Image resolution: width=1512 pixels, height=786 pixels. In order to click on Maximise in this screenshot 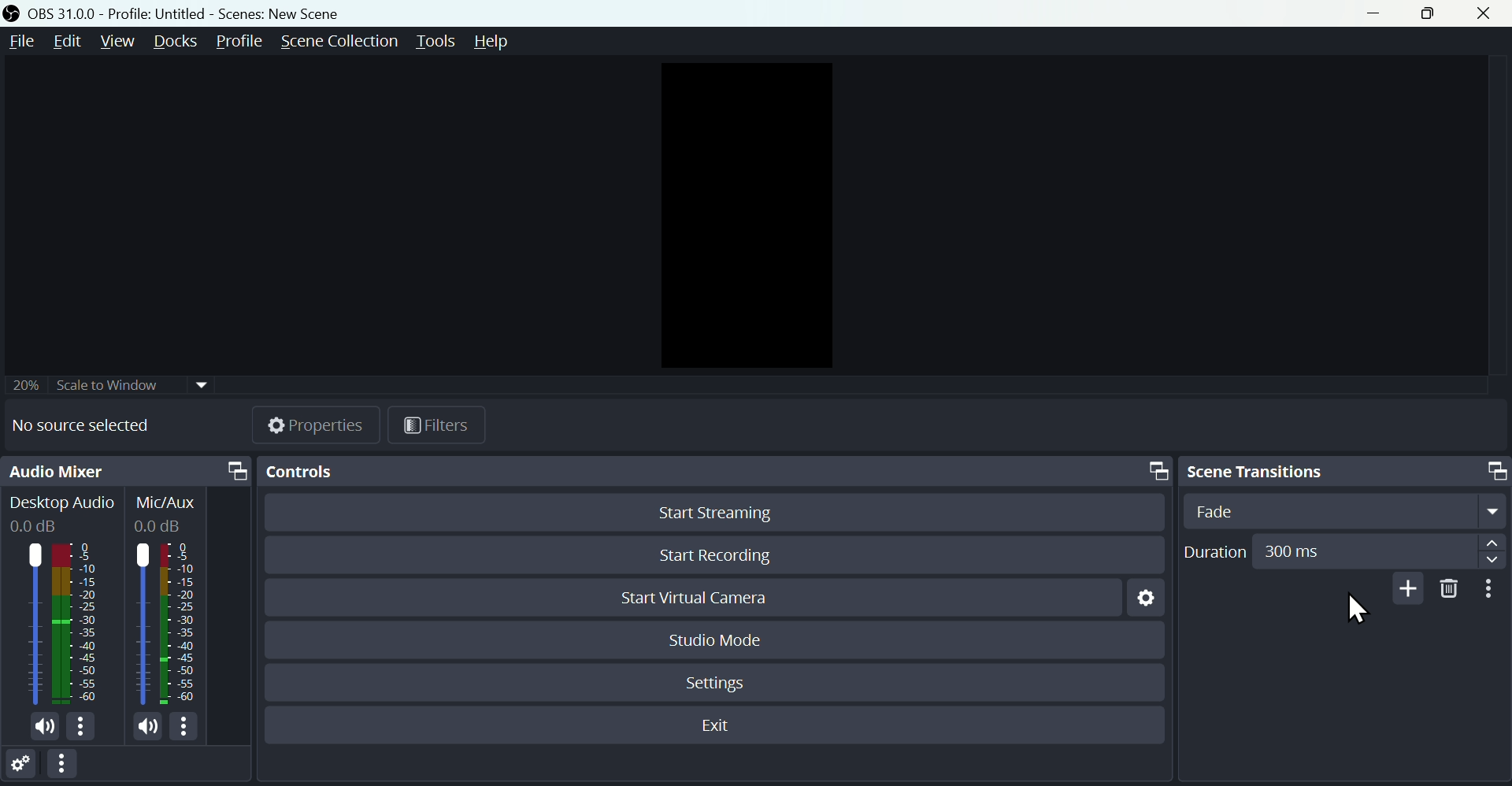, I will do `click(1436, 13)`.